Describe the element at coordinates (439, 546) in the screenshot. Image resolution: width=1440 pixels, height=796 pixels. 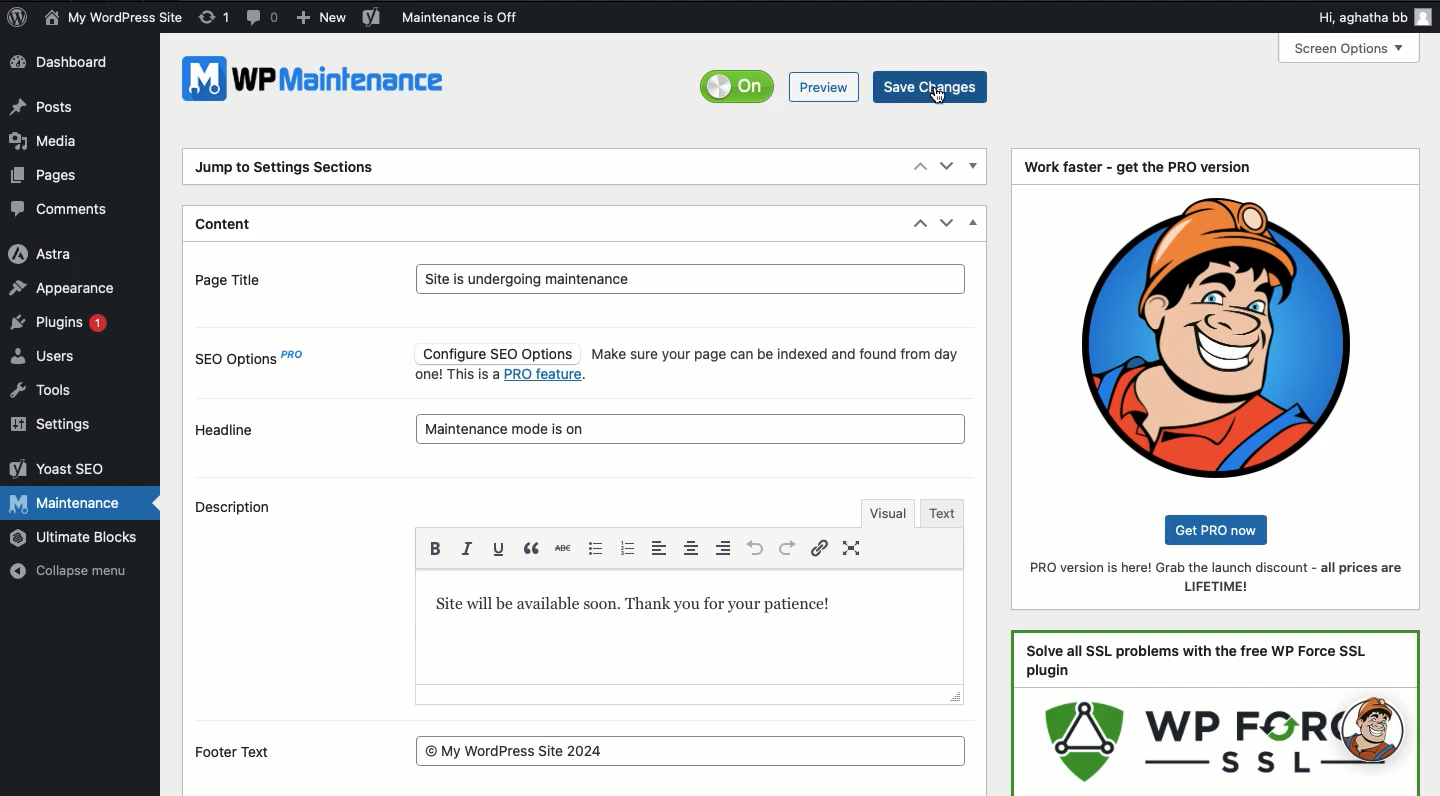
I see `Bold` at that location.